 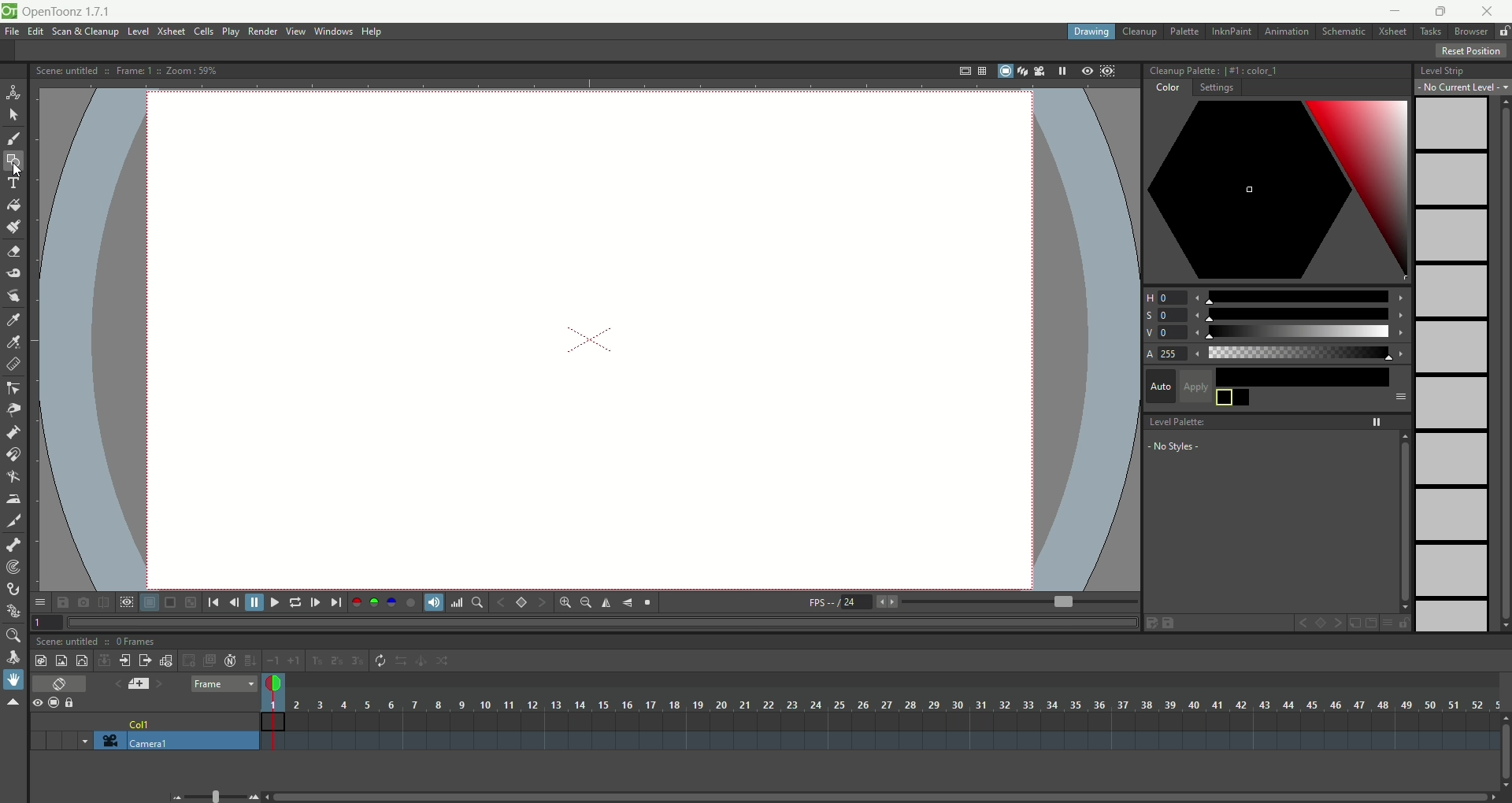 I want to click on cleanup palette, so click(x=1277, y=71).